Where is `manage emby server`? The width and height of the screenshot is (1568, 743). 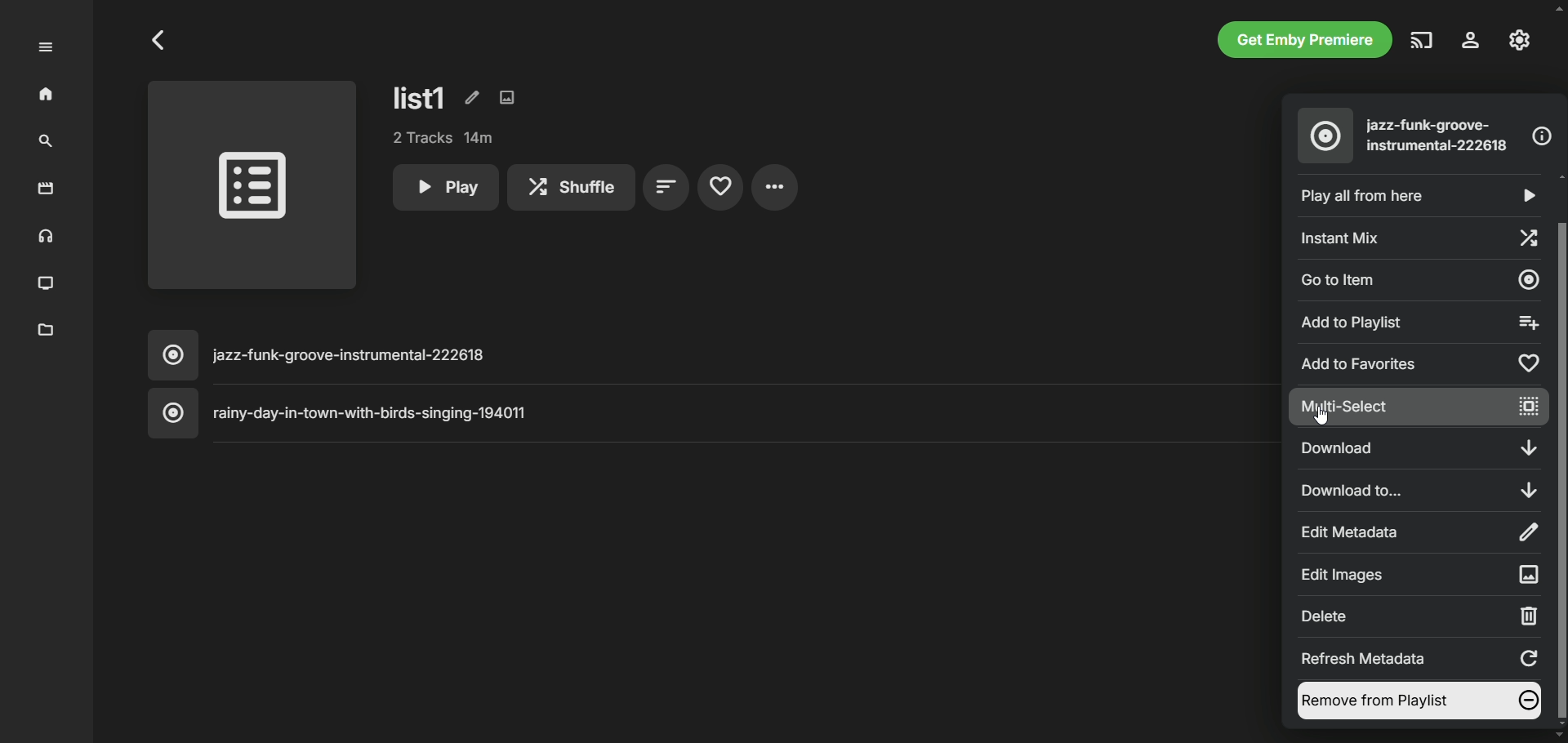
manage emby server is located at coordinates (1520, 40).